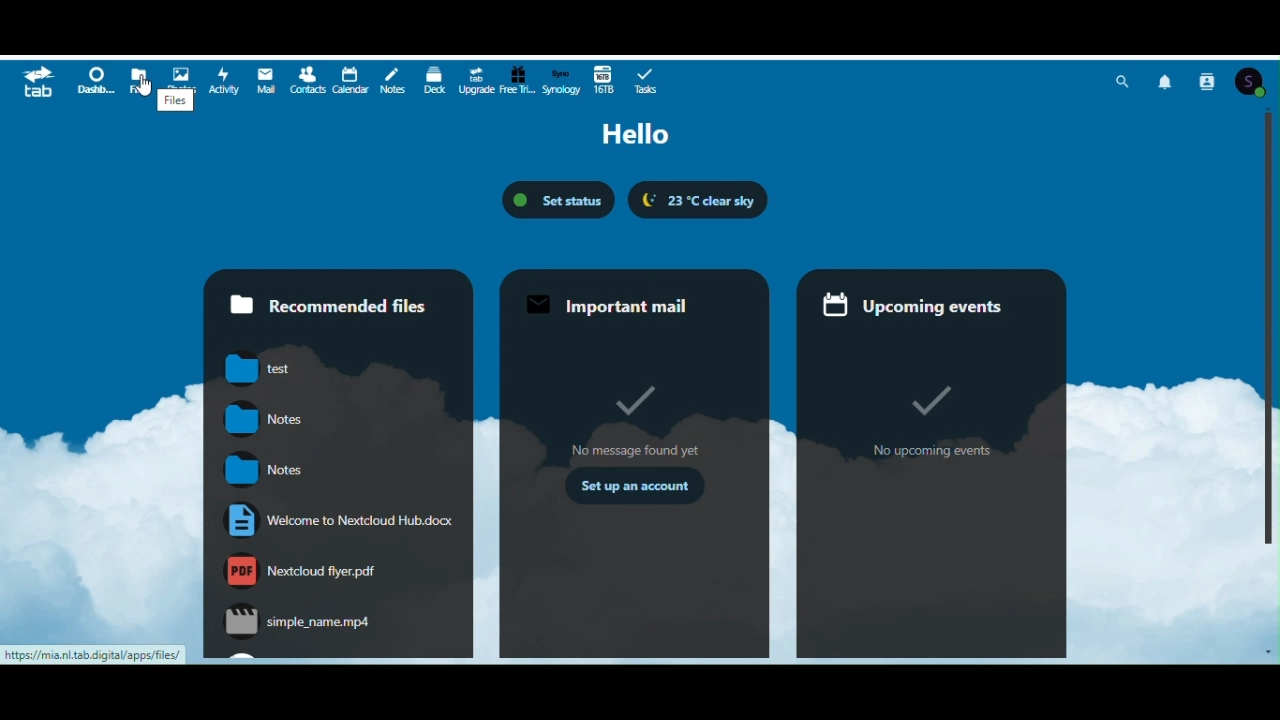  Describe the element at coordinates (142, 95) in the screenshot. I see `cursor` at that location.